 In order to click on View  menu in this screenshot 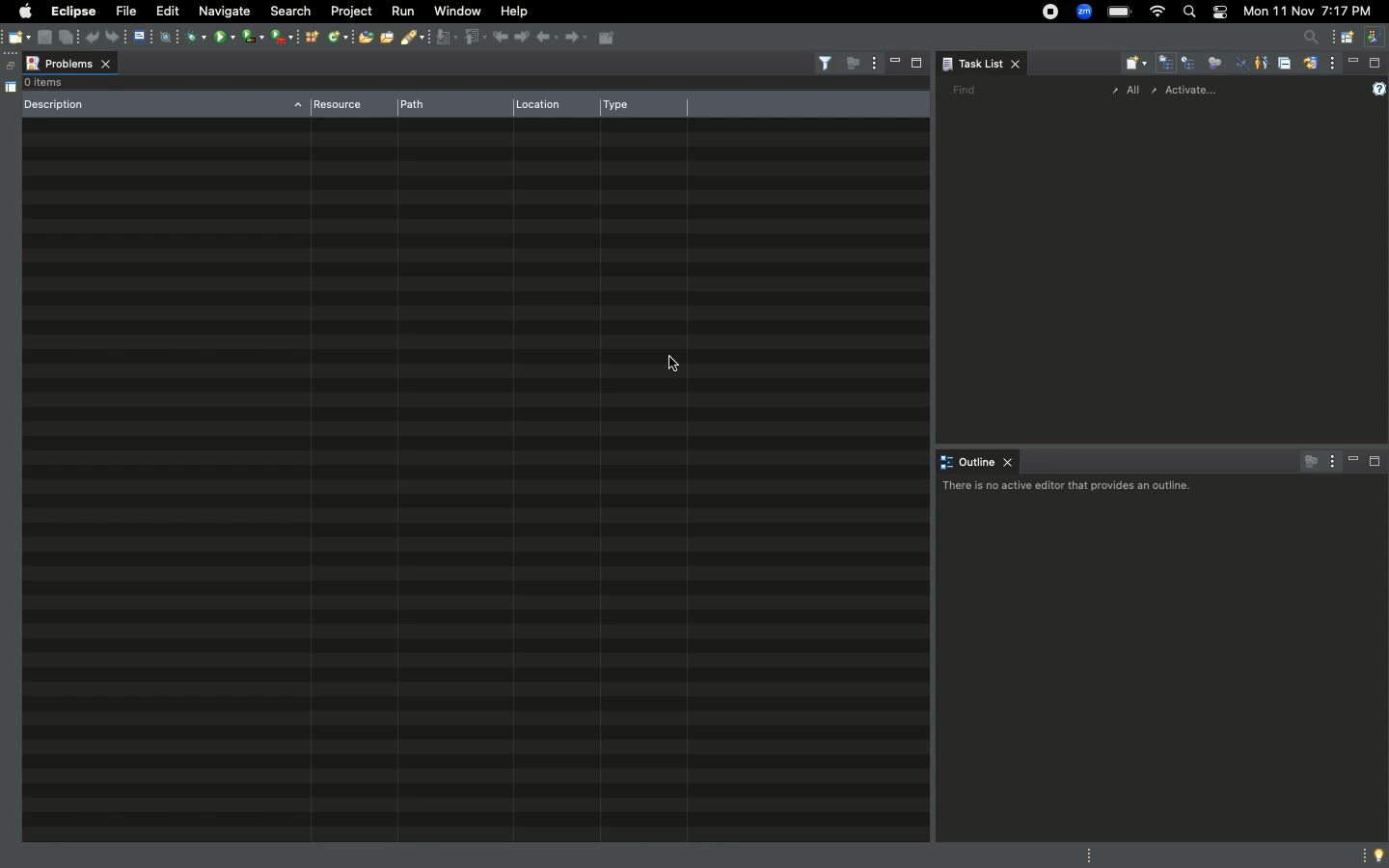, I will do `click(871, 64)`.